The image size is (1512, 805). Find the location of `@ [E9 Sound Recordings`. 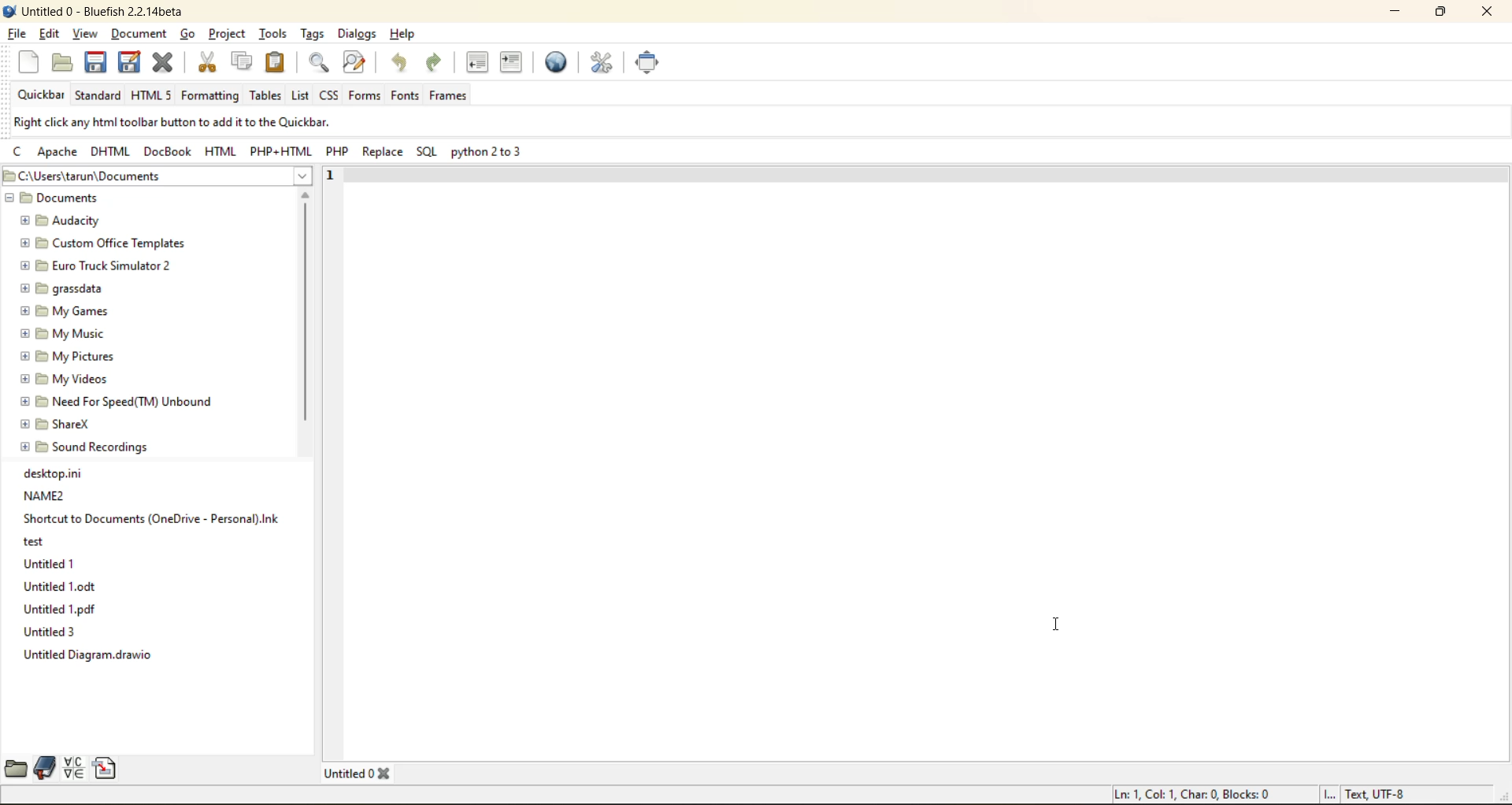

@ [E9 Sound Recordings is located at coordinates (87, 447).